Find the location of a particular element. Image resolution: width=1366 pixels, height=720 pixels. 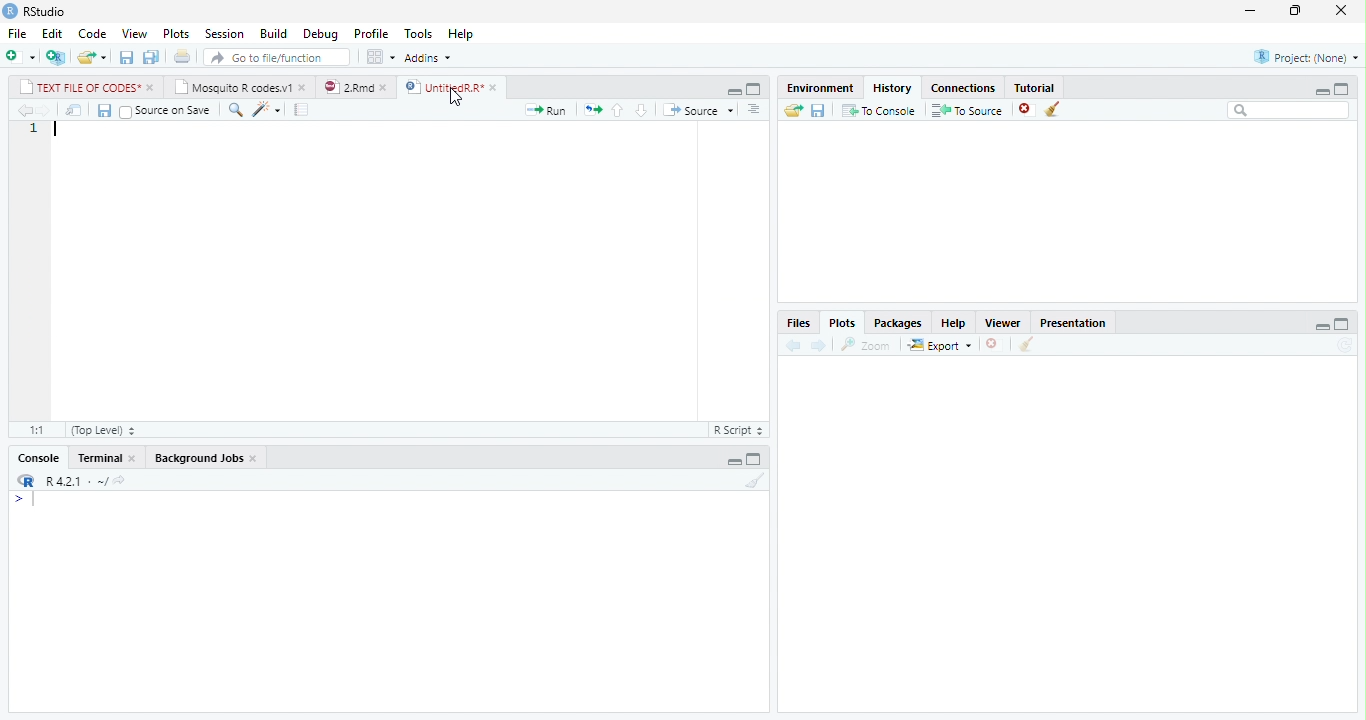

save is located at coordinates (819, 111).